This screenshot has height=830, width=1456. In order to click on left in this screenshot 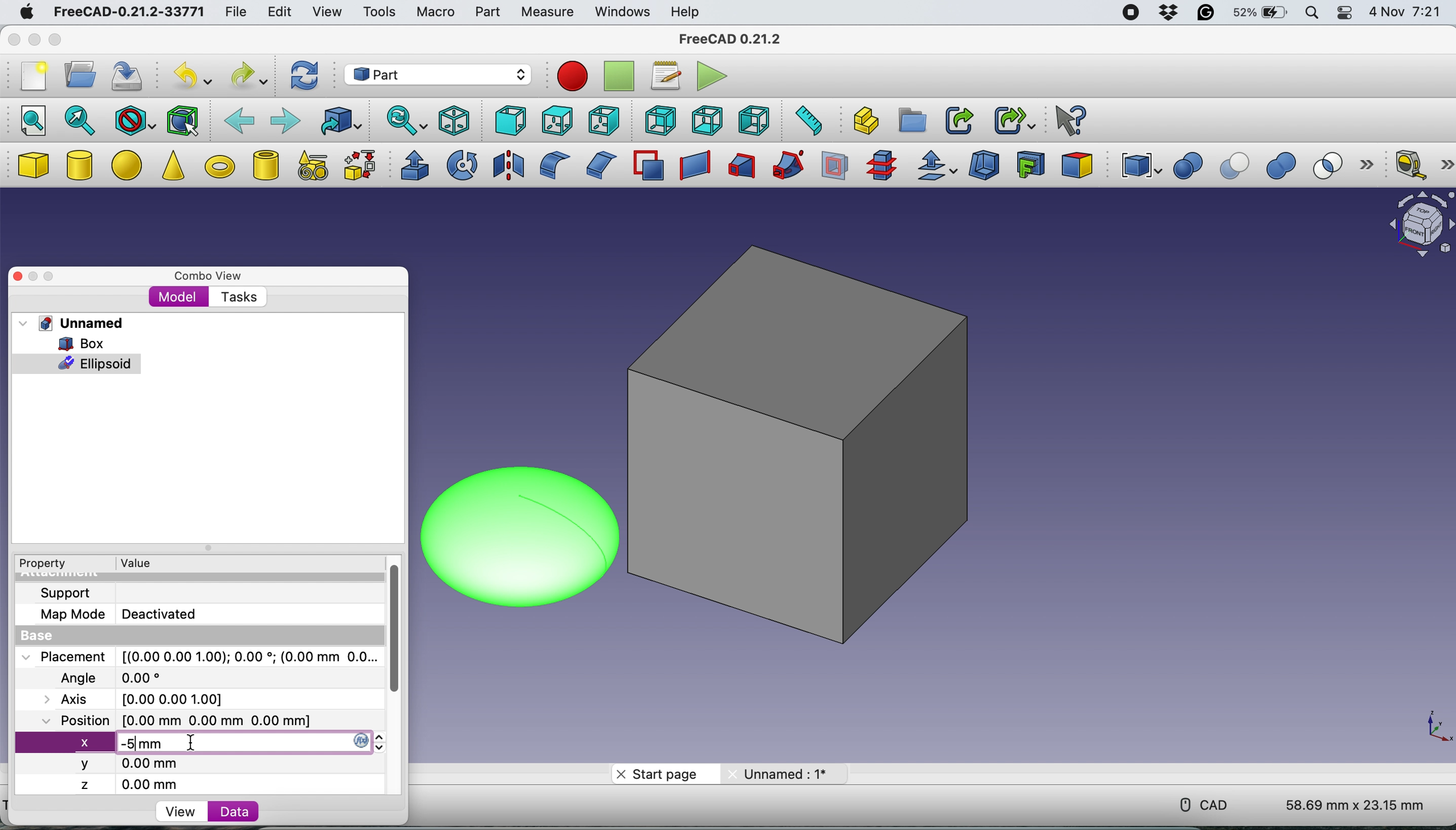, I will do `click(756, 120)`.